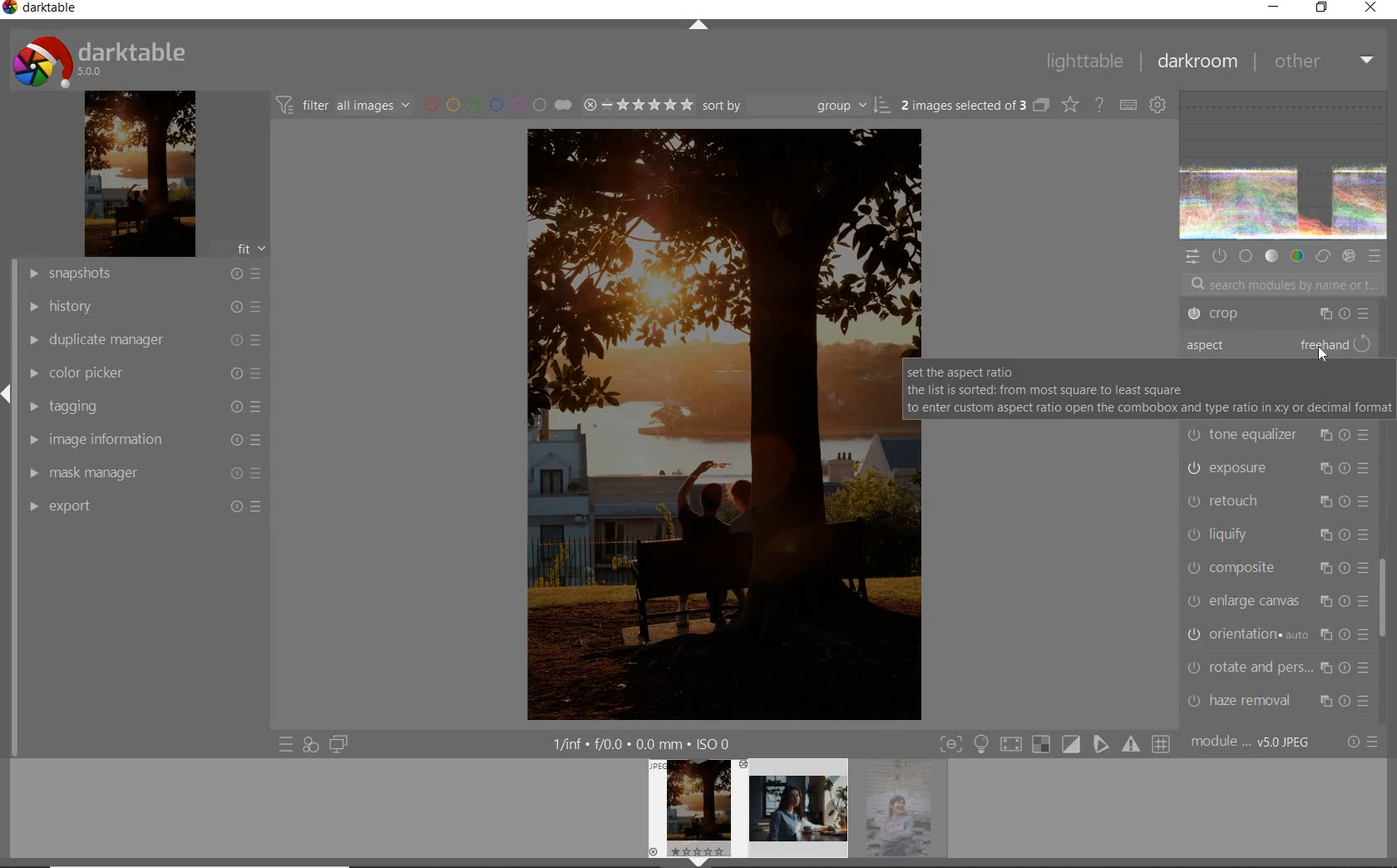 The image size is (1397, 868). Describe the element at coordinates (635, 105) in the screenshot. I see `select image range rating` at that location.